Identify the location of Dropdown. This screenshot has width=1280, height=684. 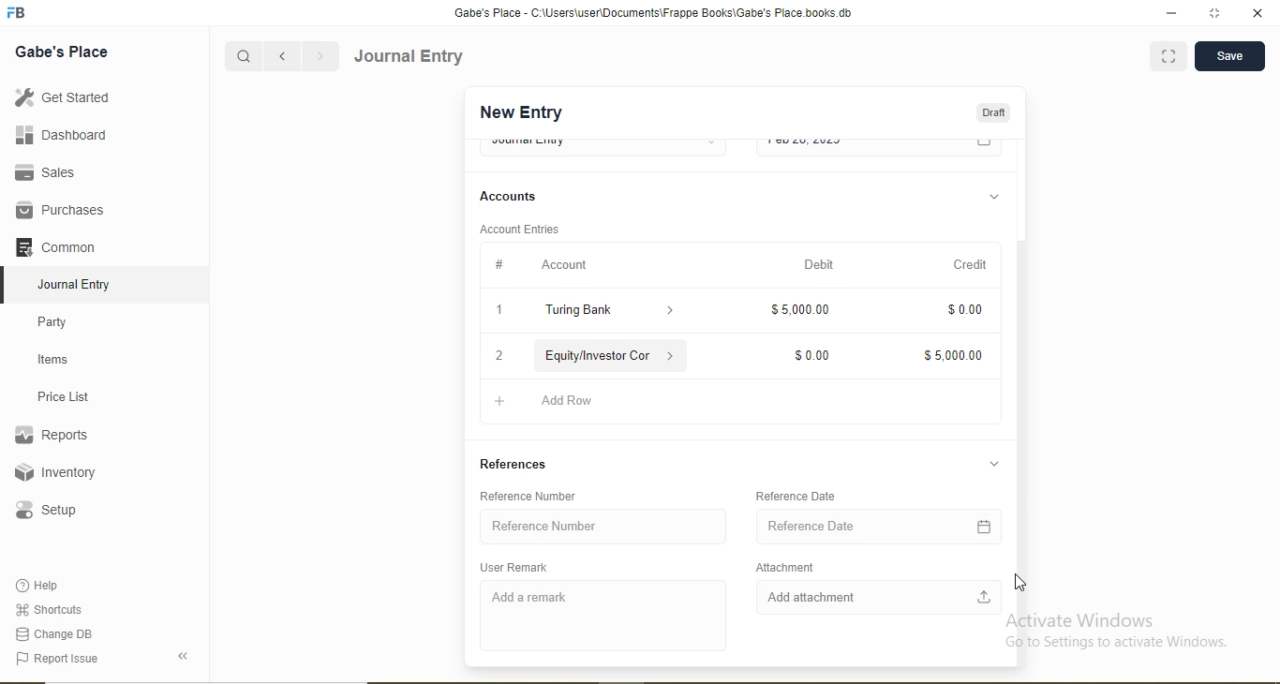
(671, 356).